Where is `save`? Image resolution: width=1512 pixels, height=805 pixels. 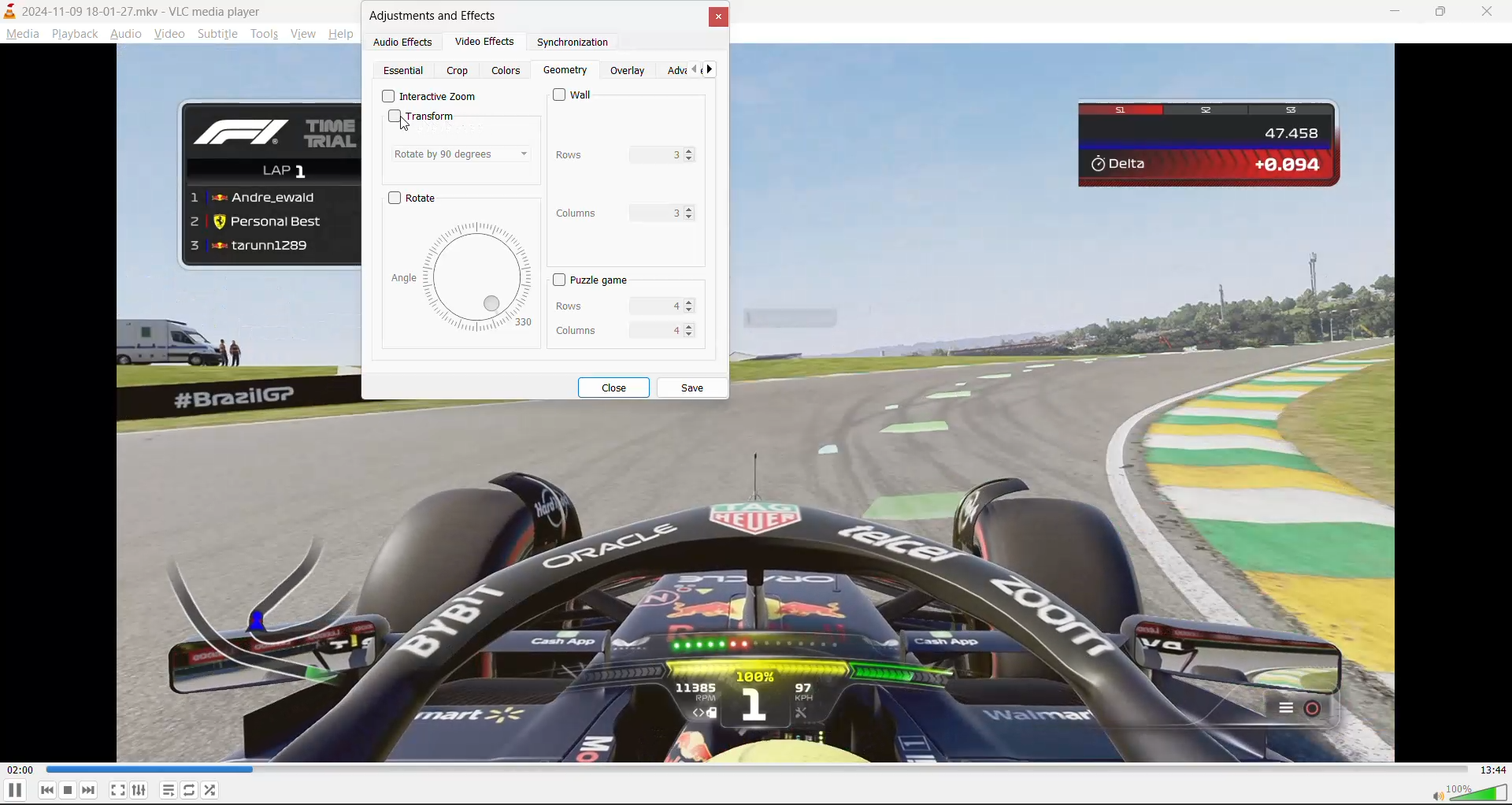
save is located at coordinates (694, 389).